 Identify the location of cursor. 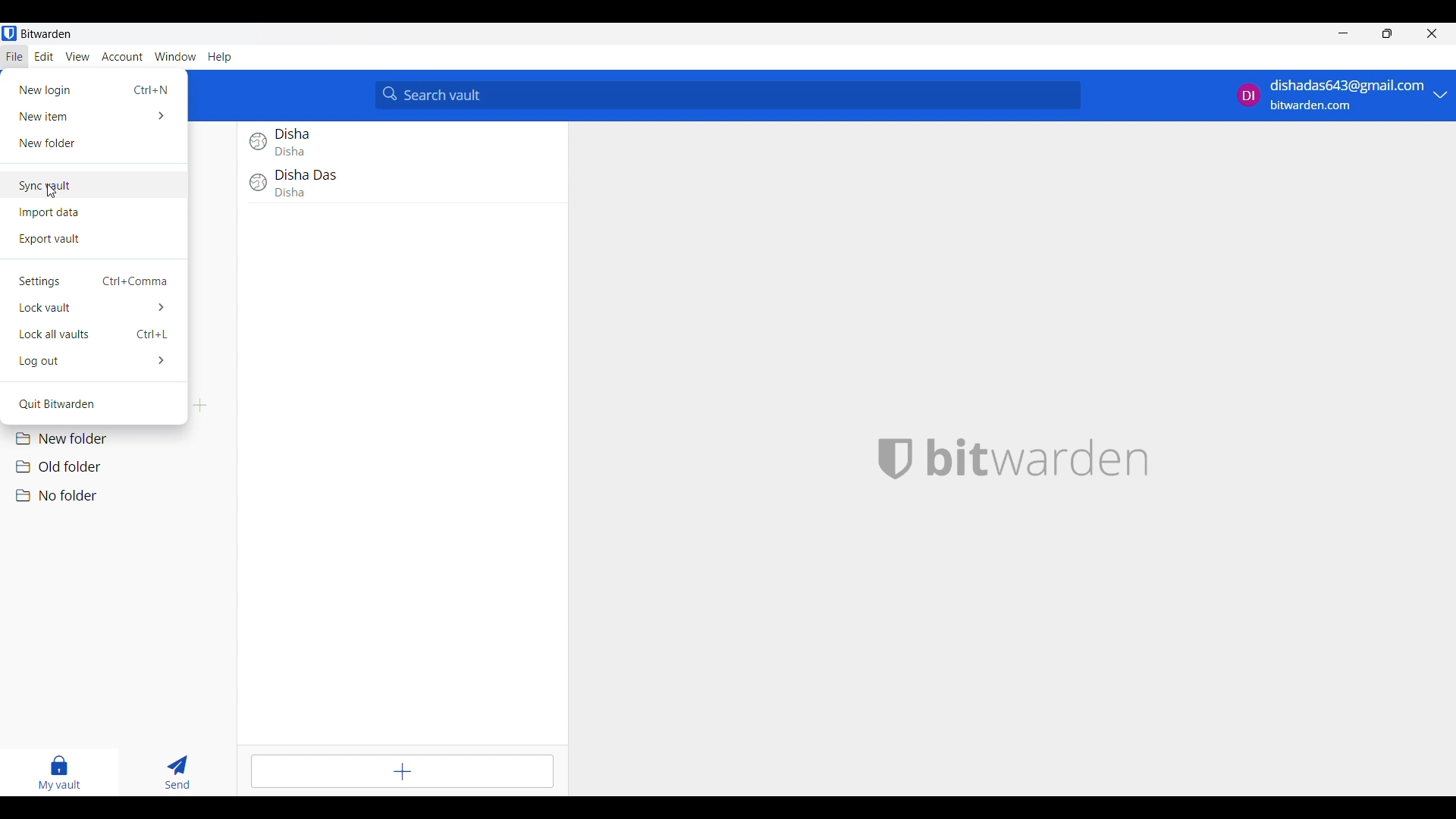
(56, 188).